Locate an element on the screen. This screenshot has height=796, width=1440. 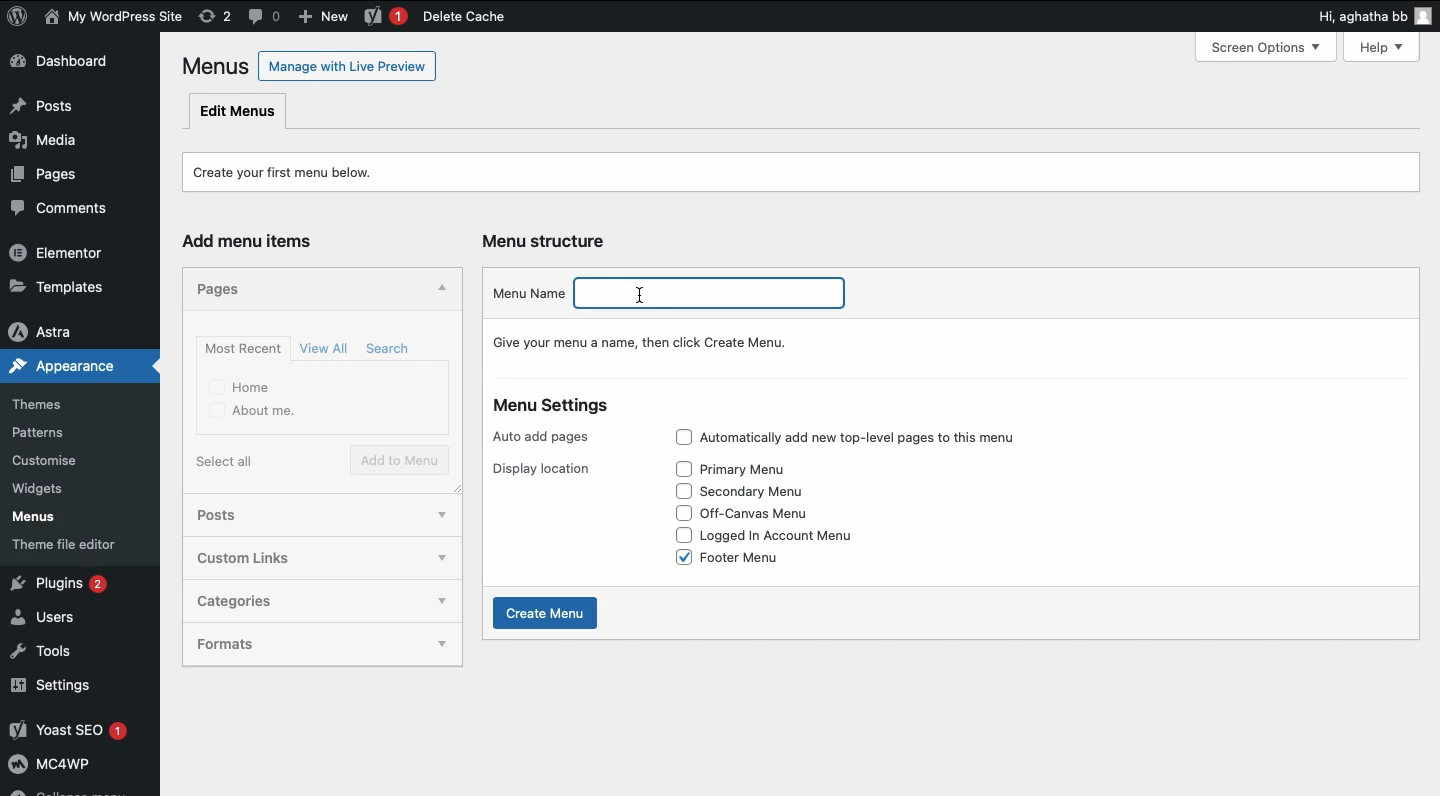
Logged in account menu is located at coordinates (793, 537).